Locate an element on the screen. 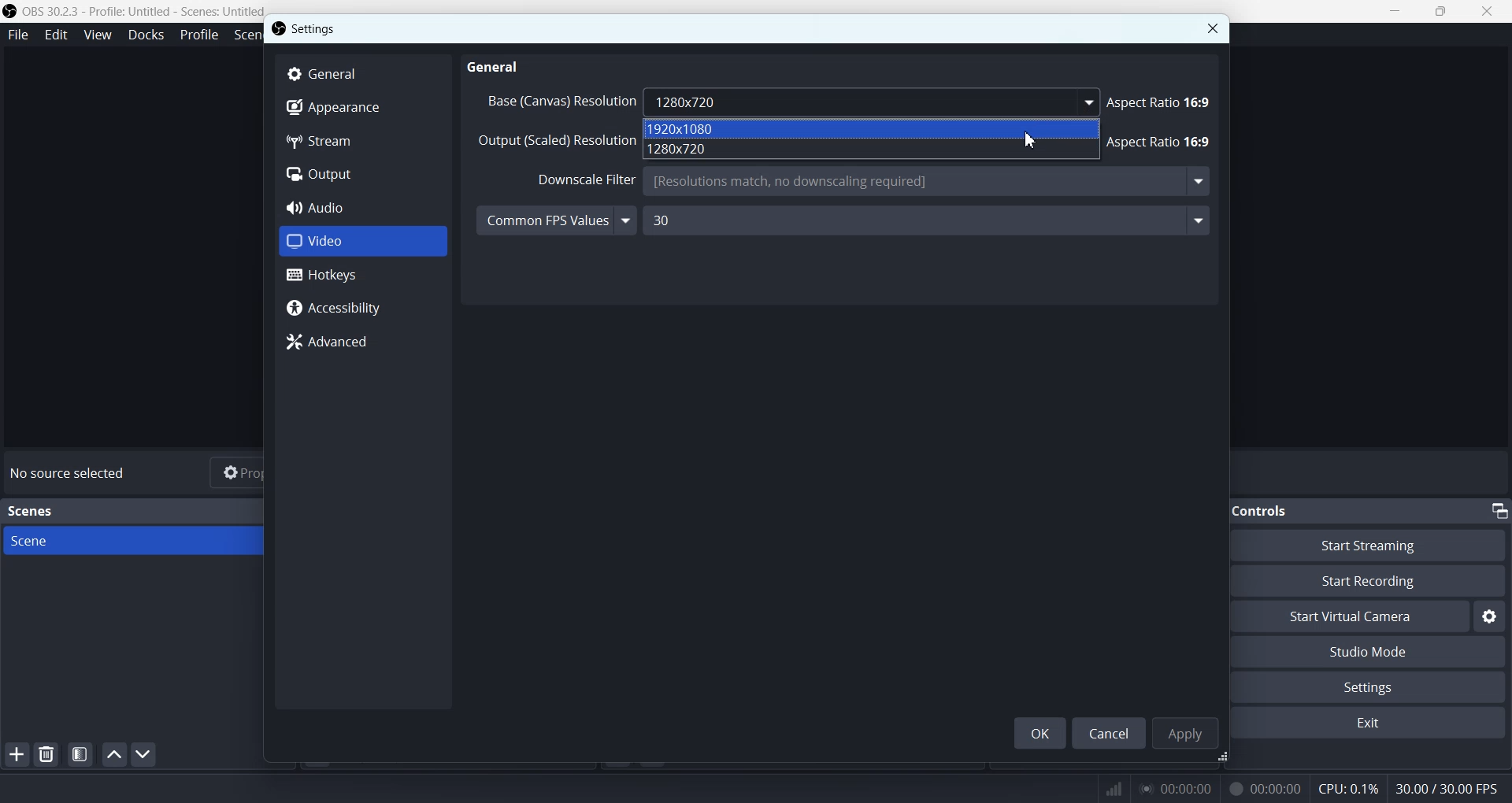 Image resolution: width=1512 pixels, height=803 pixels. Profile is located at coordinates (199, 35).